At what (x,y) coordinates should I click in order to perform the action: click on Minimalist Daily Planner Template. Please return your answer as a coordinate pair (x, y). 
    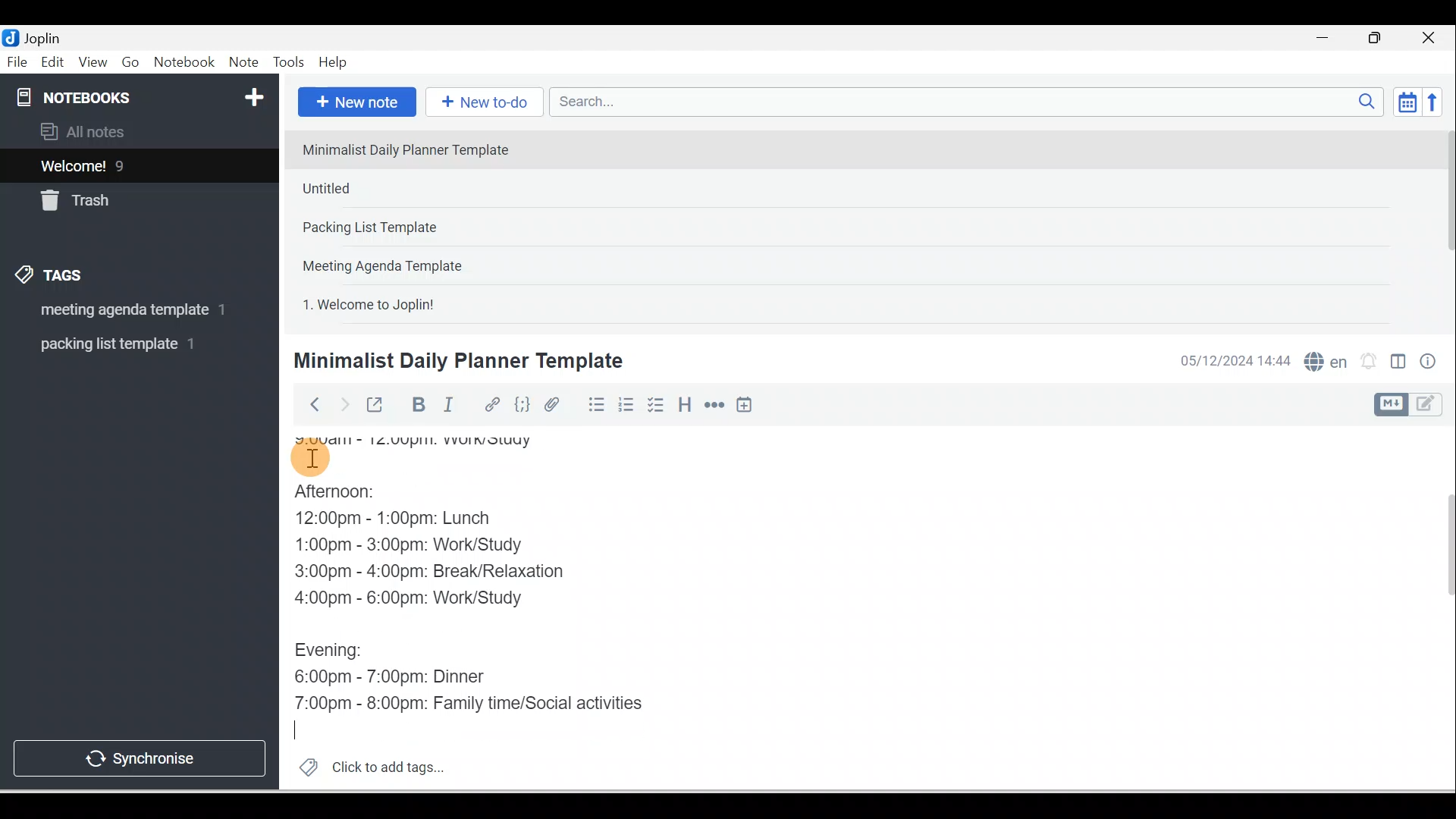
    Looking at the image, I should click on (456, 361).